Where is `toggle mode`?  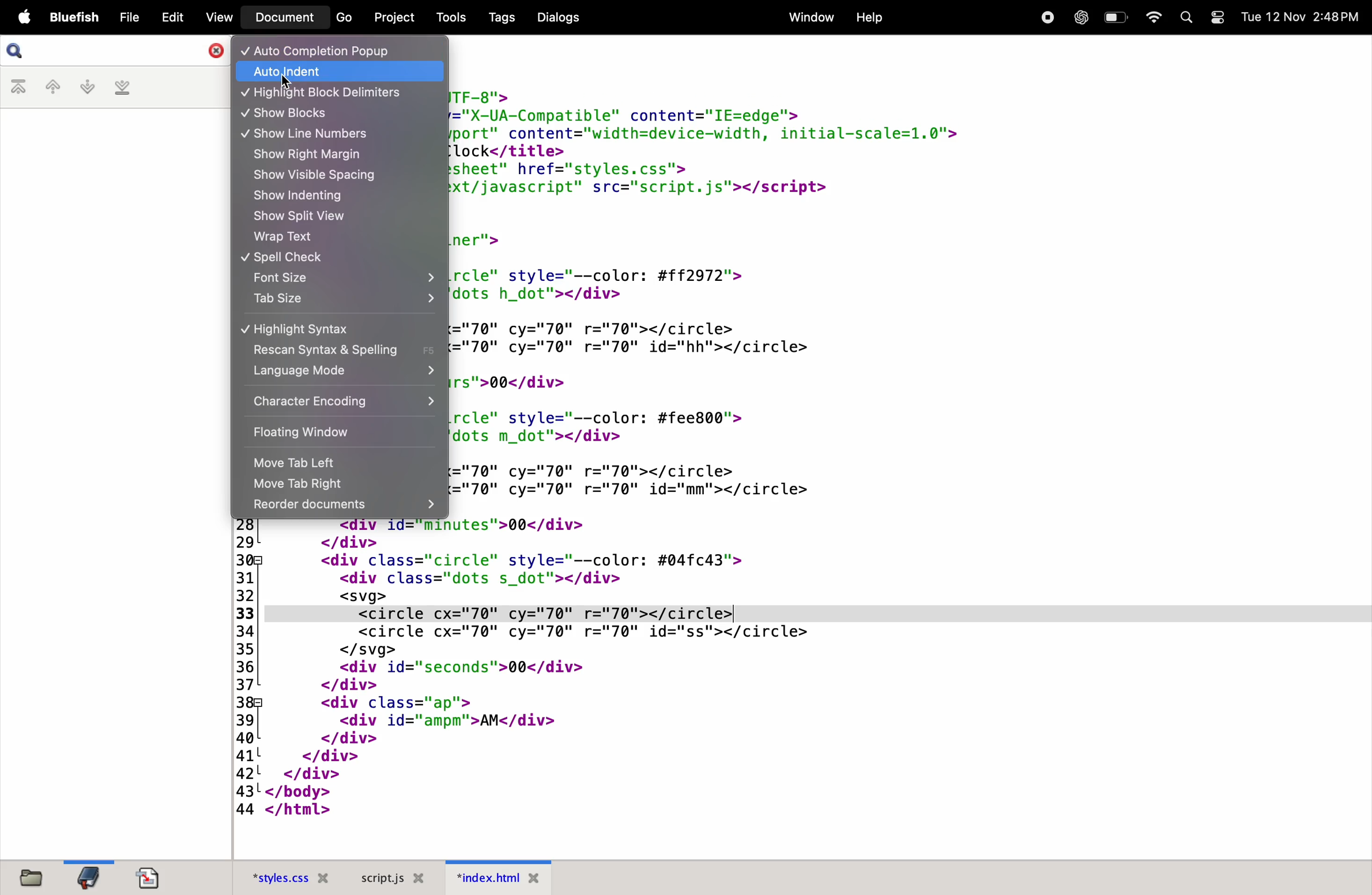 toggle mode is located at coordinates (1219, 19).